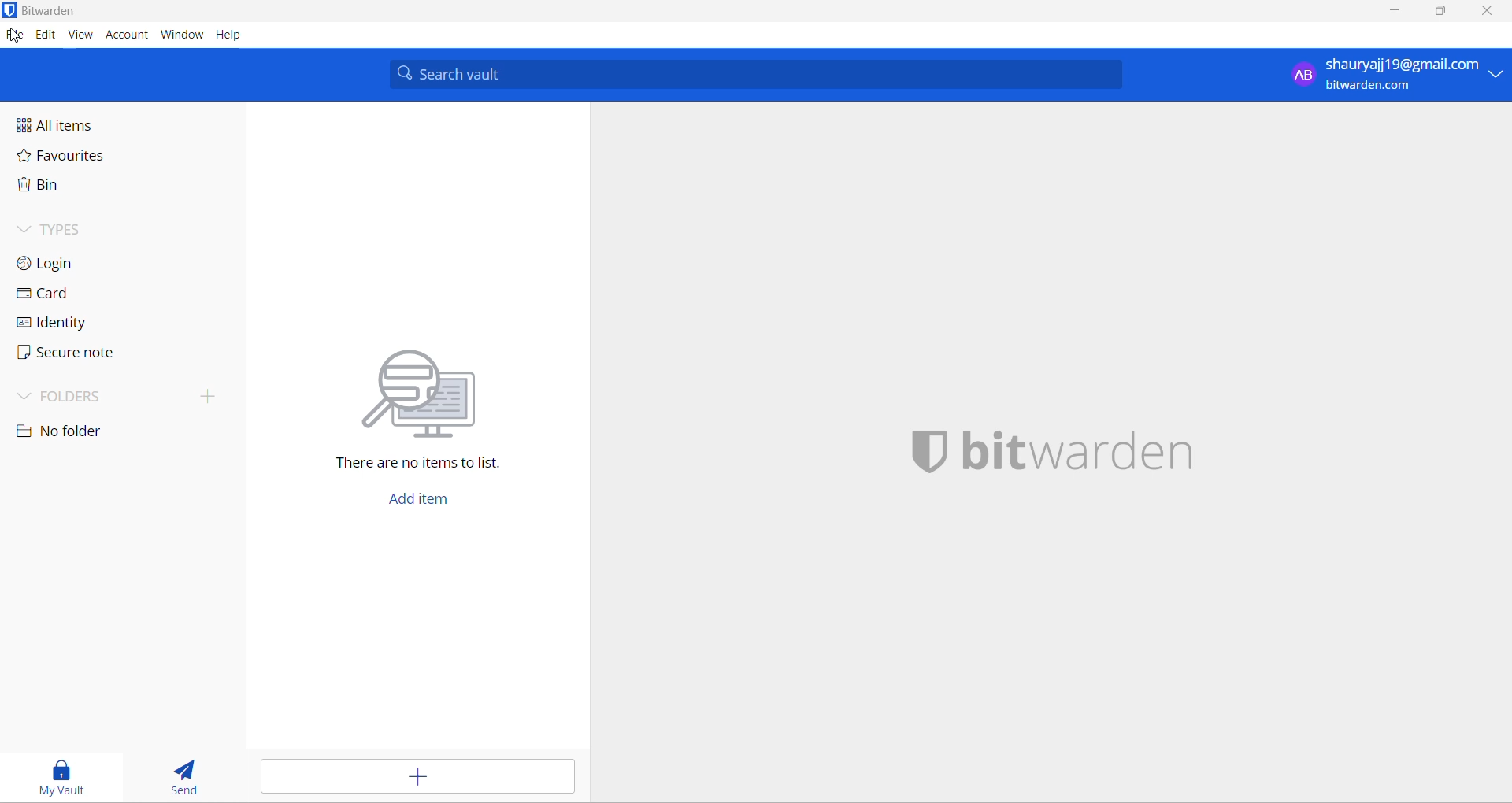 This screenshot has height=803, width=1512. Describe the element at coordinates (92, 433) in the screenshot. I see `no folder` at that location.